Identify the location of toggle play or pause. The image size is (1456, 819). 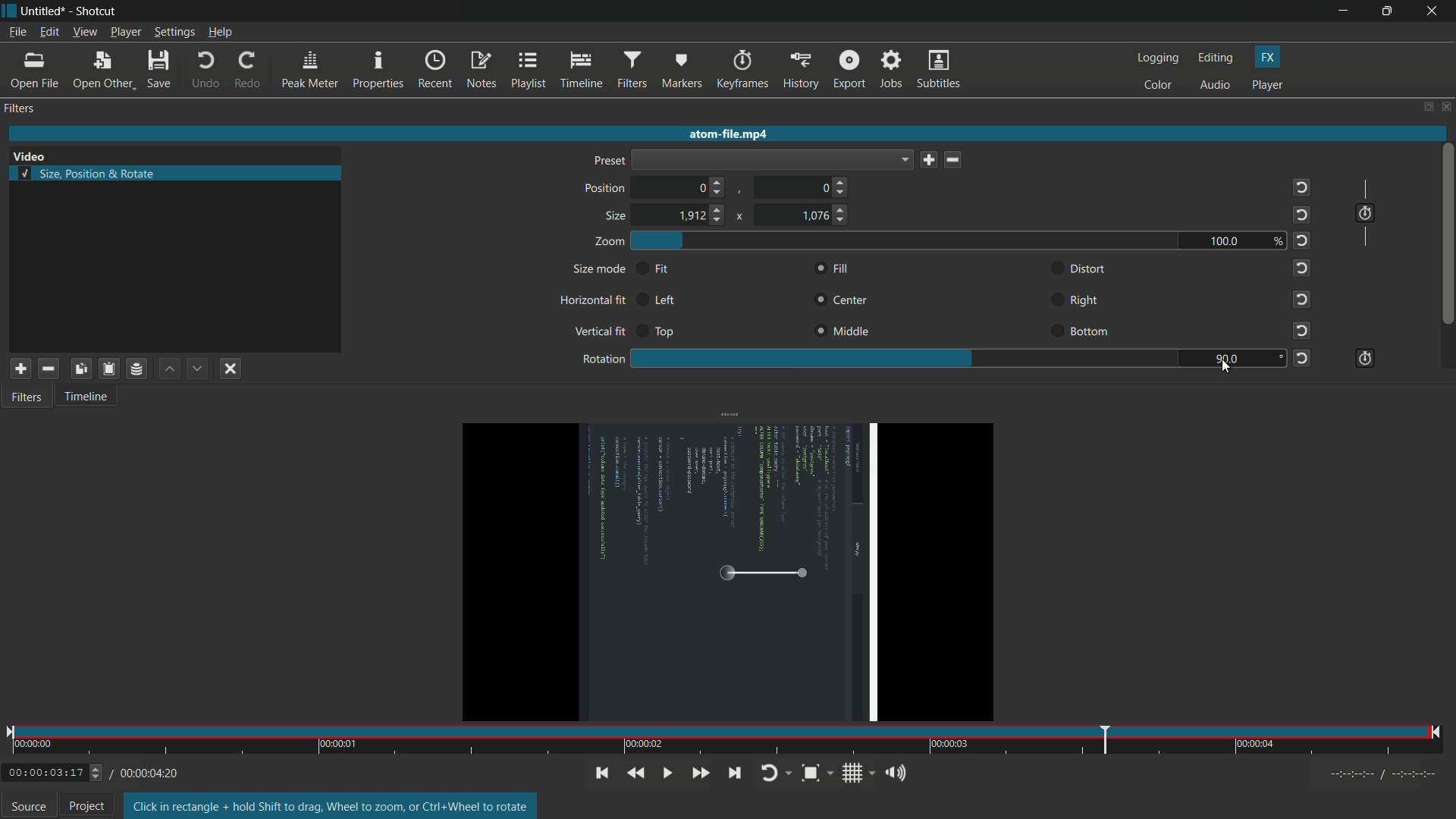
(667, 774).